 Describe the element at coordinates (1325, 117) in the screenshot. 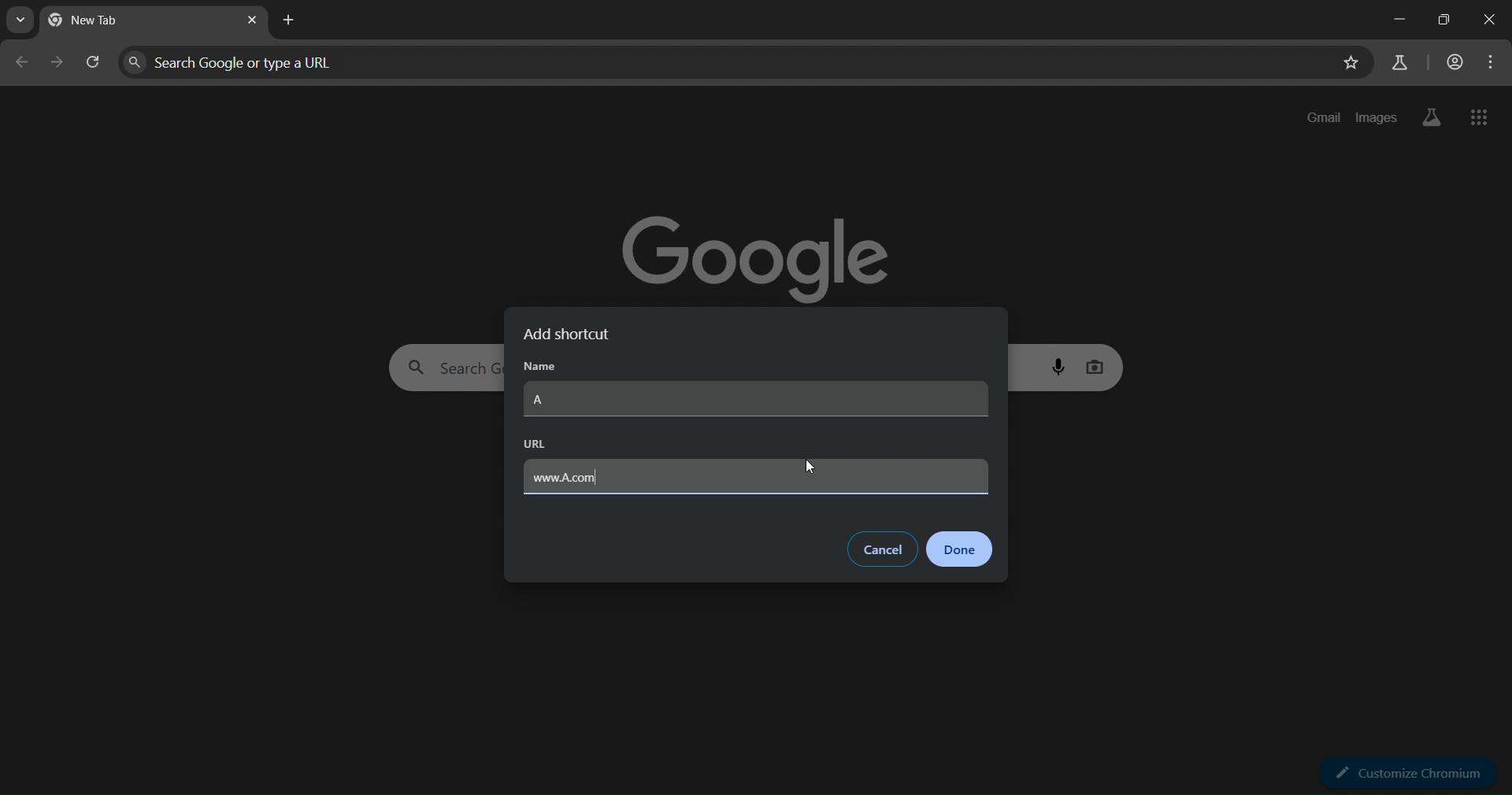

I see `gmail` at that location.